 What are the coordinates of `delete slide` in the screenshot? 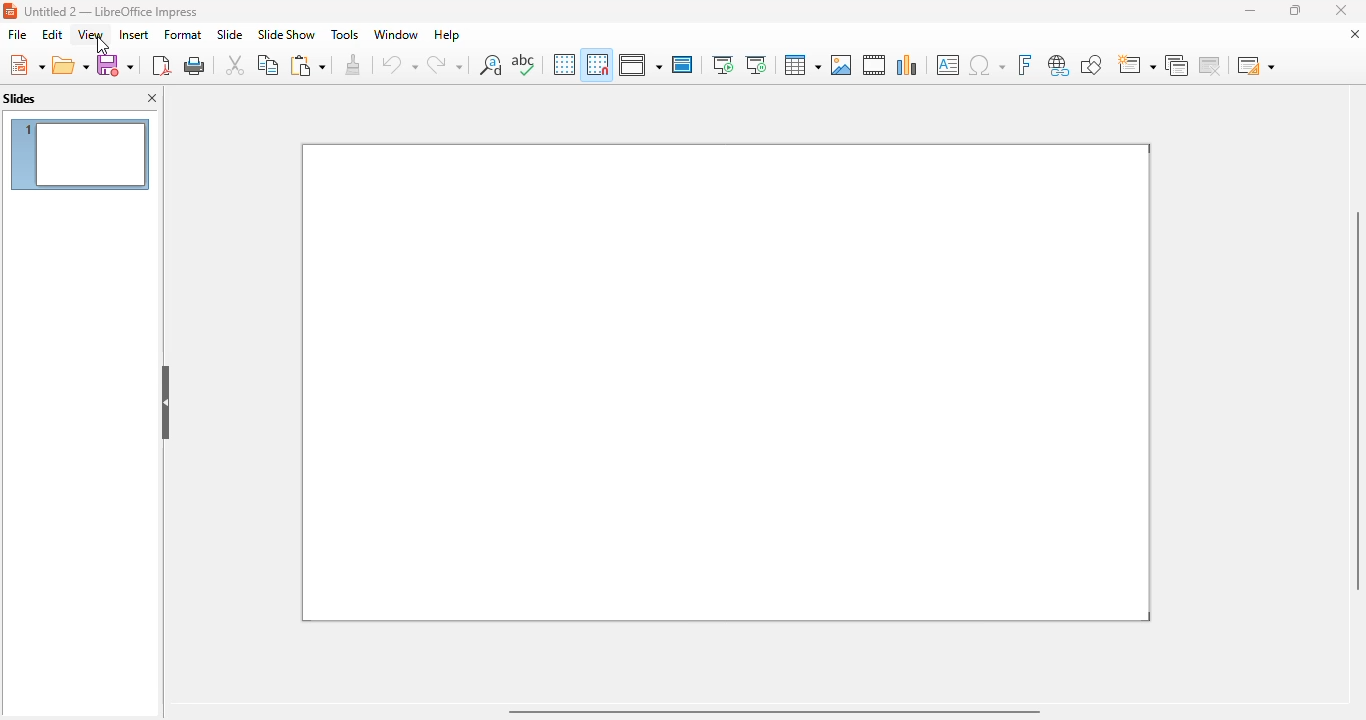 It's located at (1209, 64).